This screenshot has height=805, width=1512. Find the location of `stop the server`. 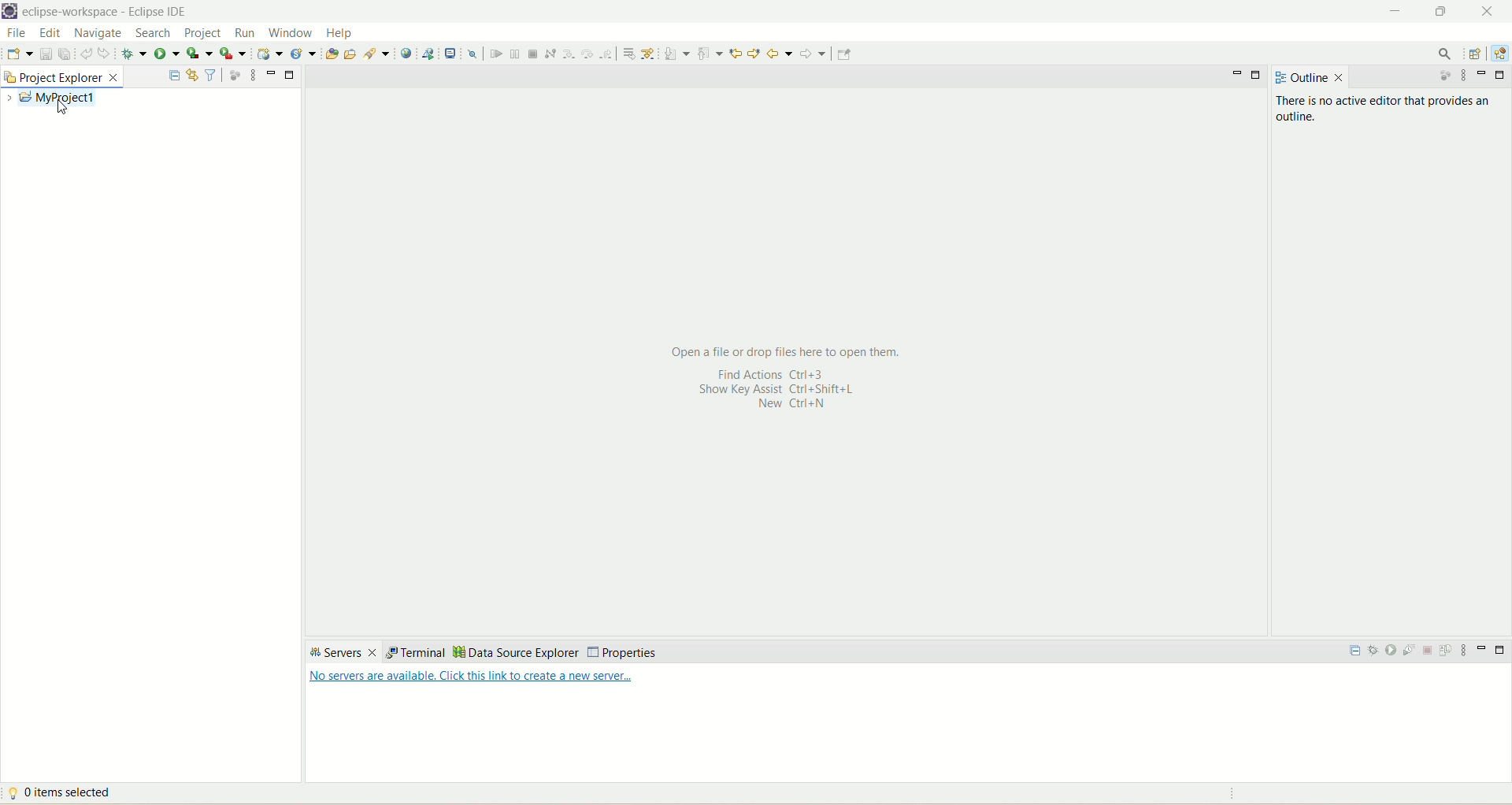

stop the server is located at coordinates (1430, 652).